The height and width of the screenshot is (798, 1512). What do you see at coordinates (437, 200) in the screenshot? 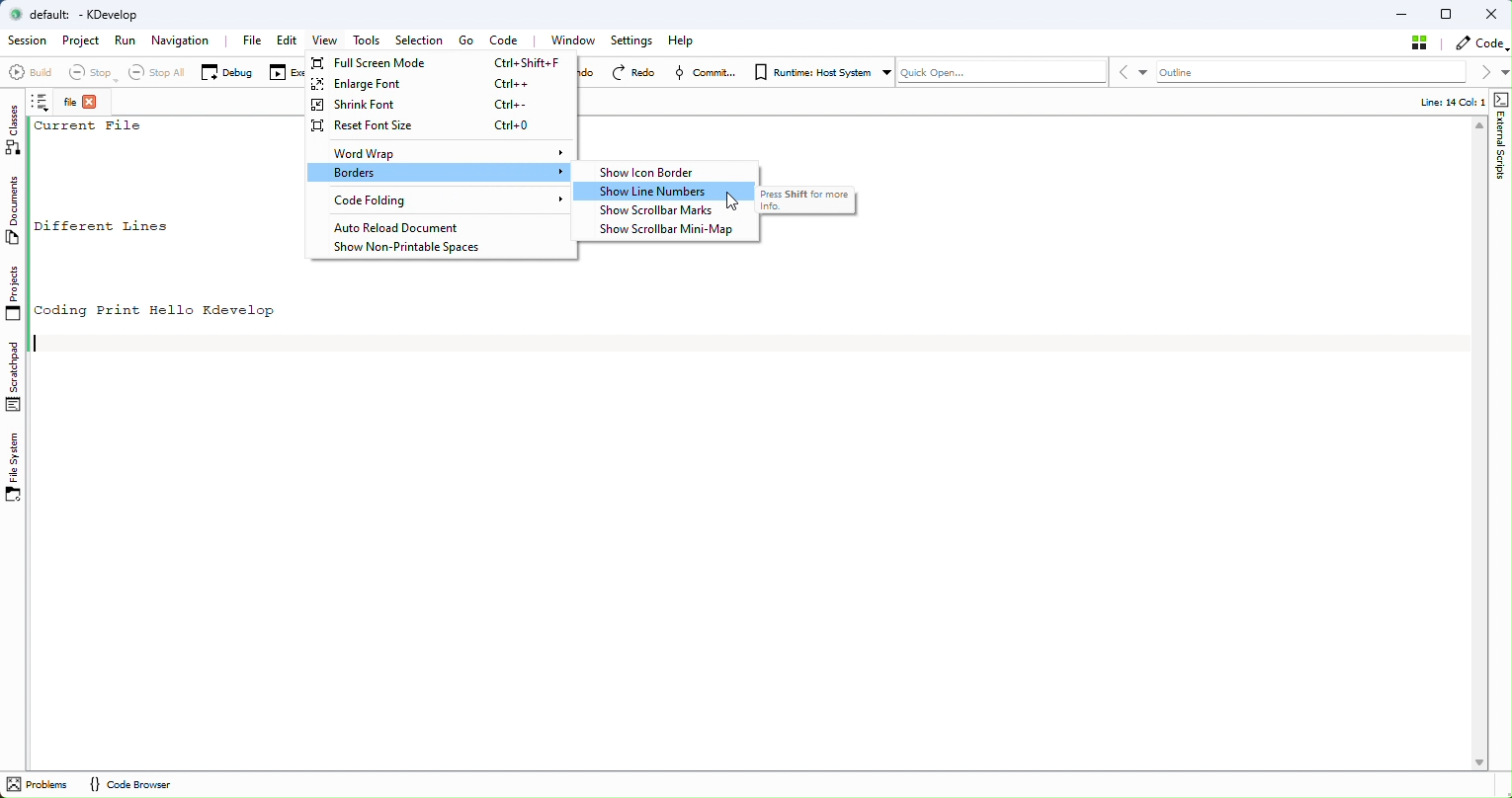
I see `Code Folding` at bounding box center [437, 200].